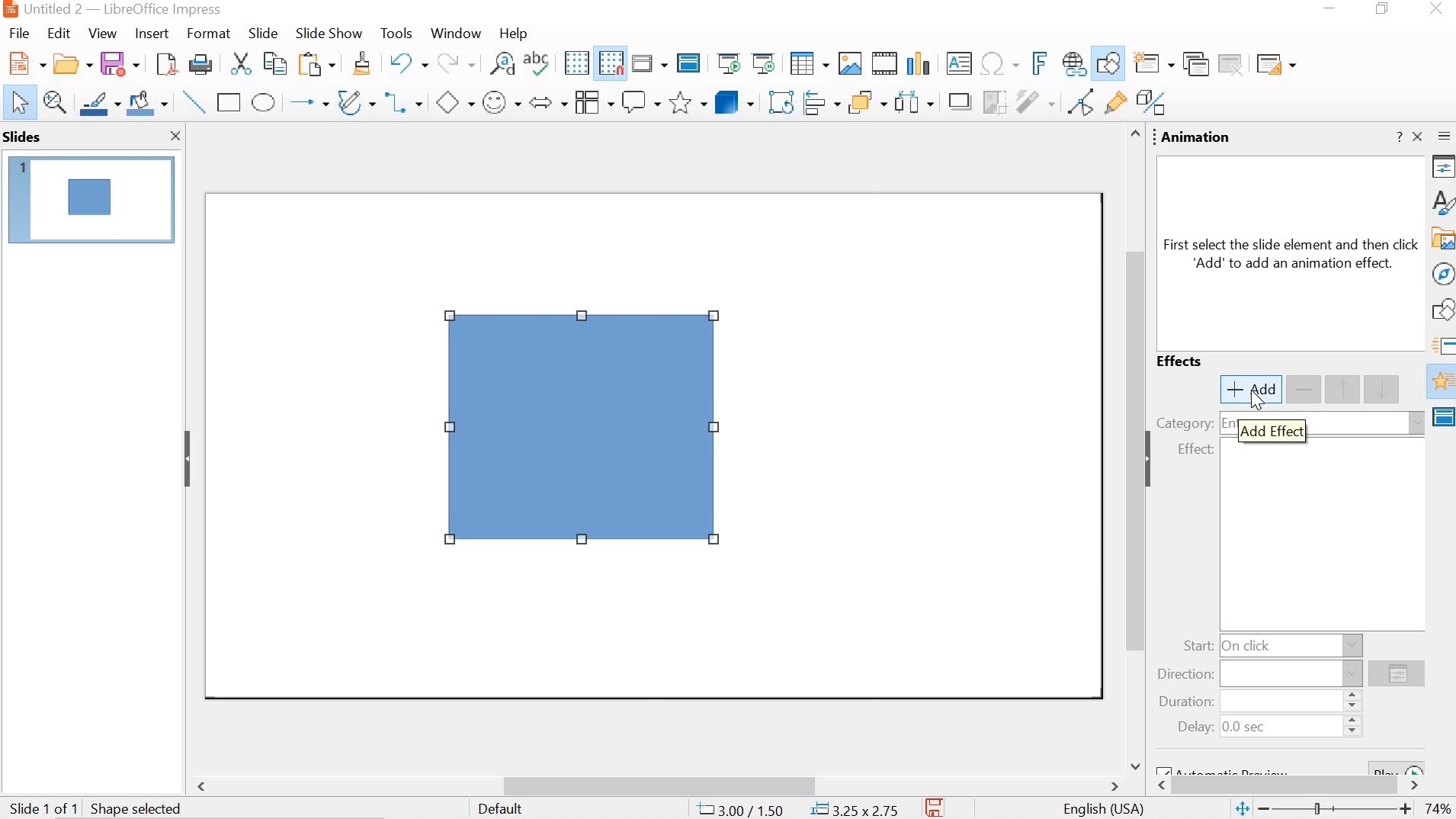 The image size is (1456, 819). I want to click on close, so click(1440, 8).